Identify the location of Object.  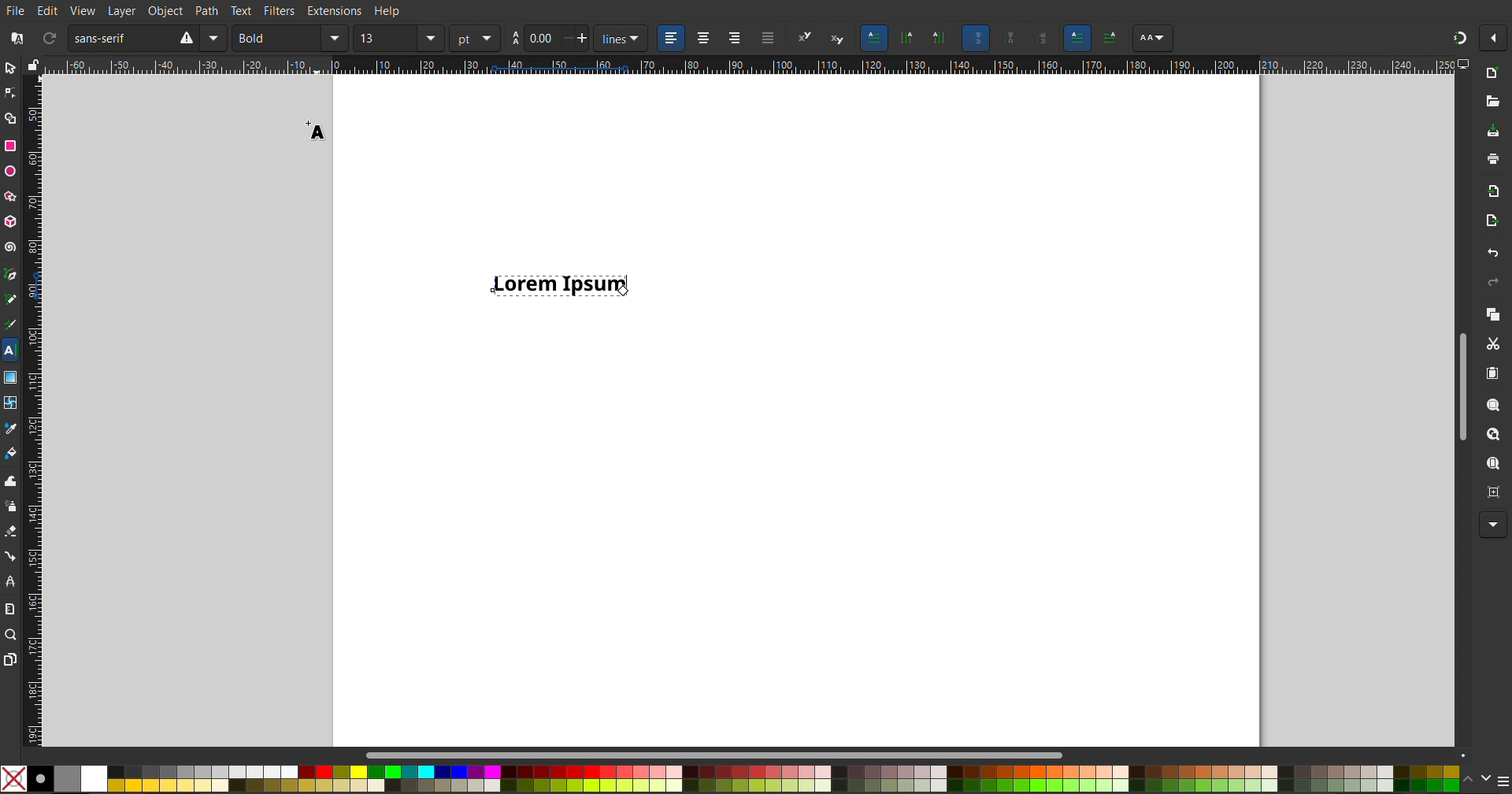
(165, 9).